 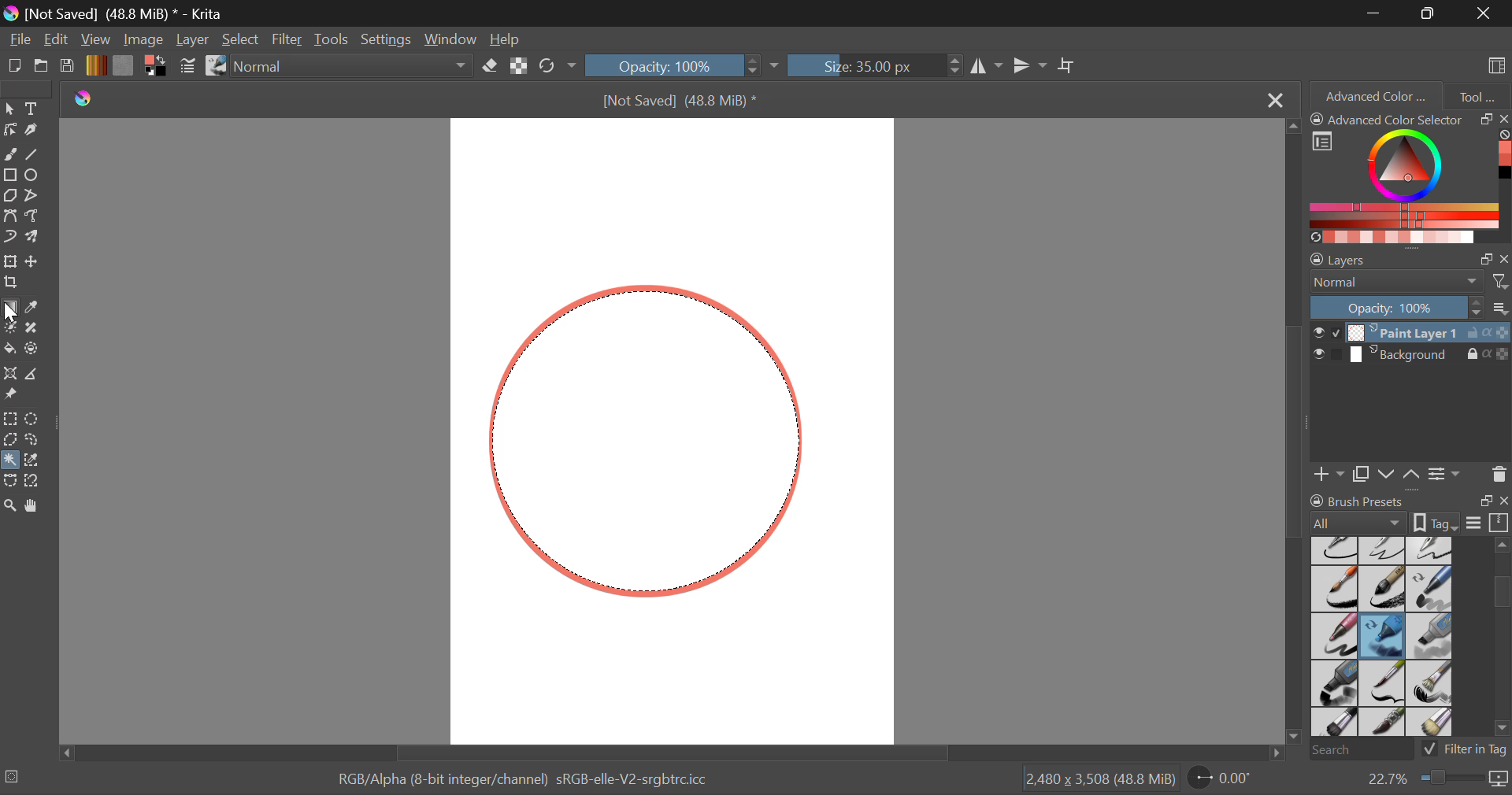 I want to click on [Not Saved] (48.8 MiB) *, so click(x=683, y=102).